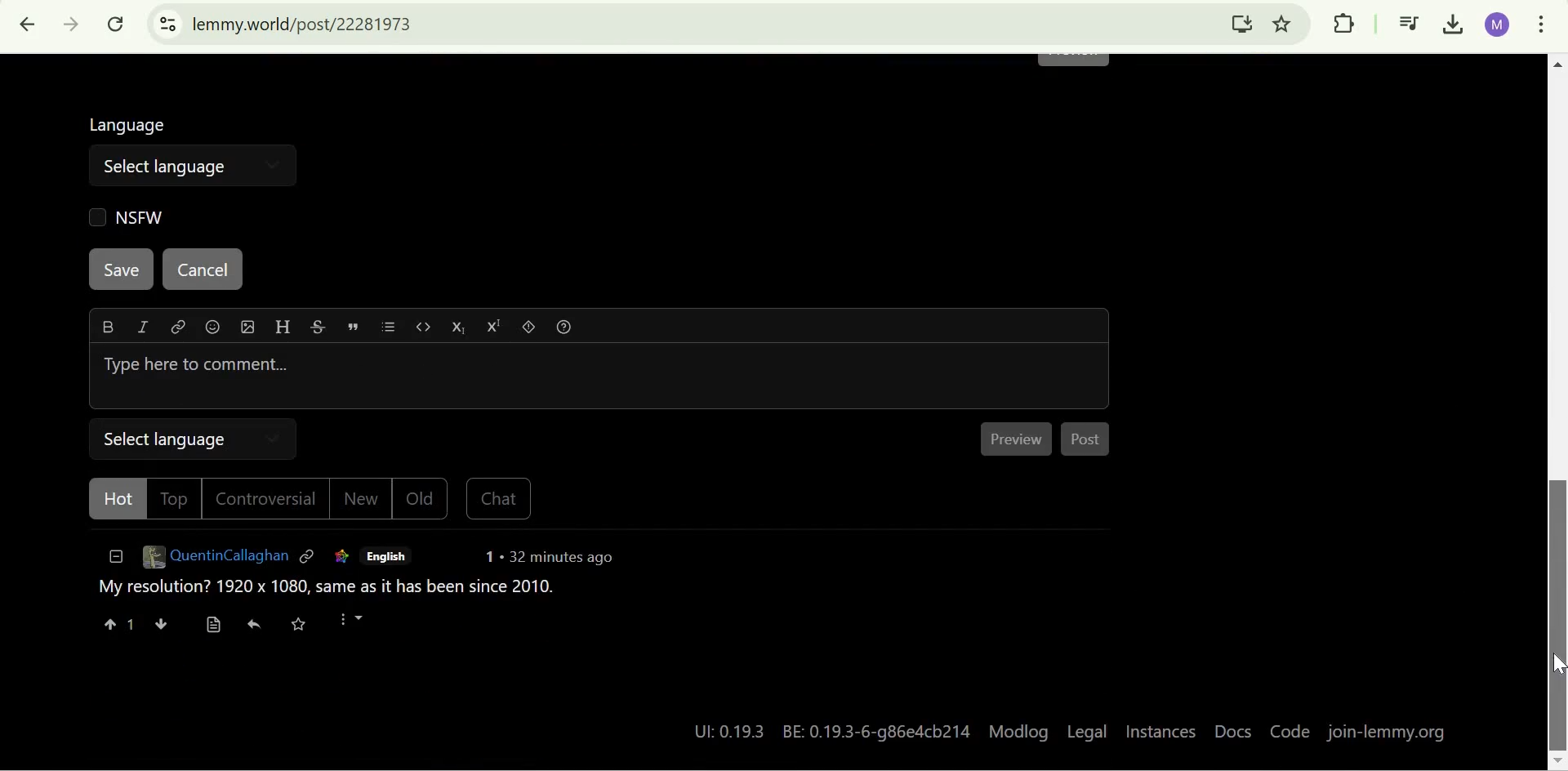 This screenshot has height=771, width=1568. What do you see at coordinates (29, 25) in the screenshot?
I see `Click to go back, hold to see history` at bounding box center [29, 25].